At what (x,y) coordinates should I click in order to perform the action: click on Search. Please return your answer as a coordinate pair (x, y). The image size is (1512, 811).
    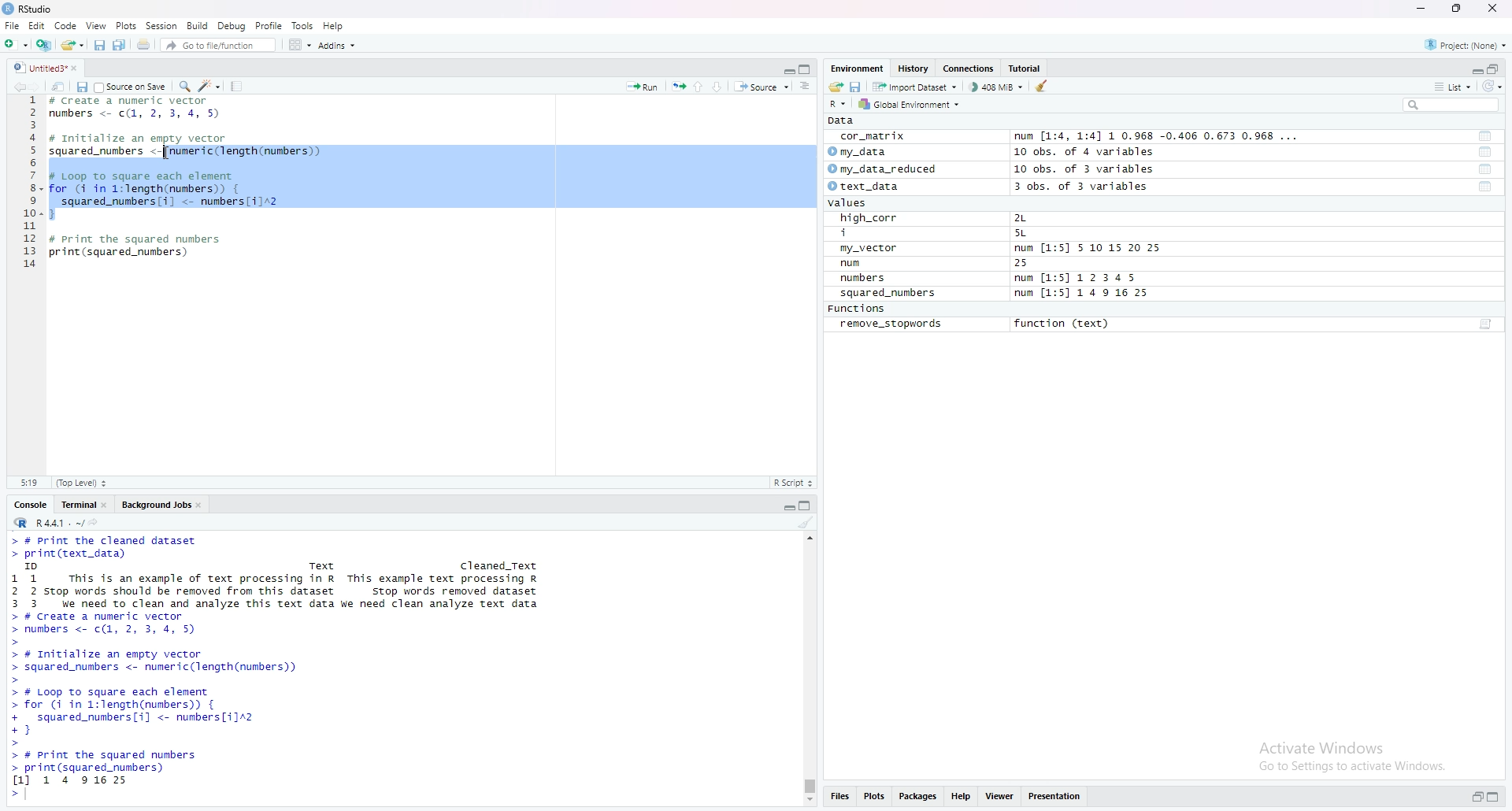
    Looking at the image, I should click on (1451, 105).